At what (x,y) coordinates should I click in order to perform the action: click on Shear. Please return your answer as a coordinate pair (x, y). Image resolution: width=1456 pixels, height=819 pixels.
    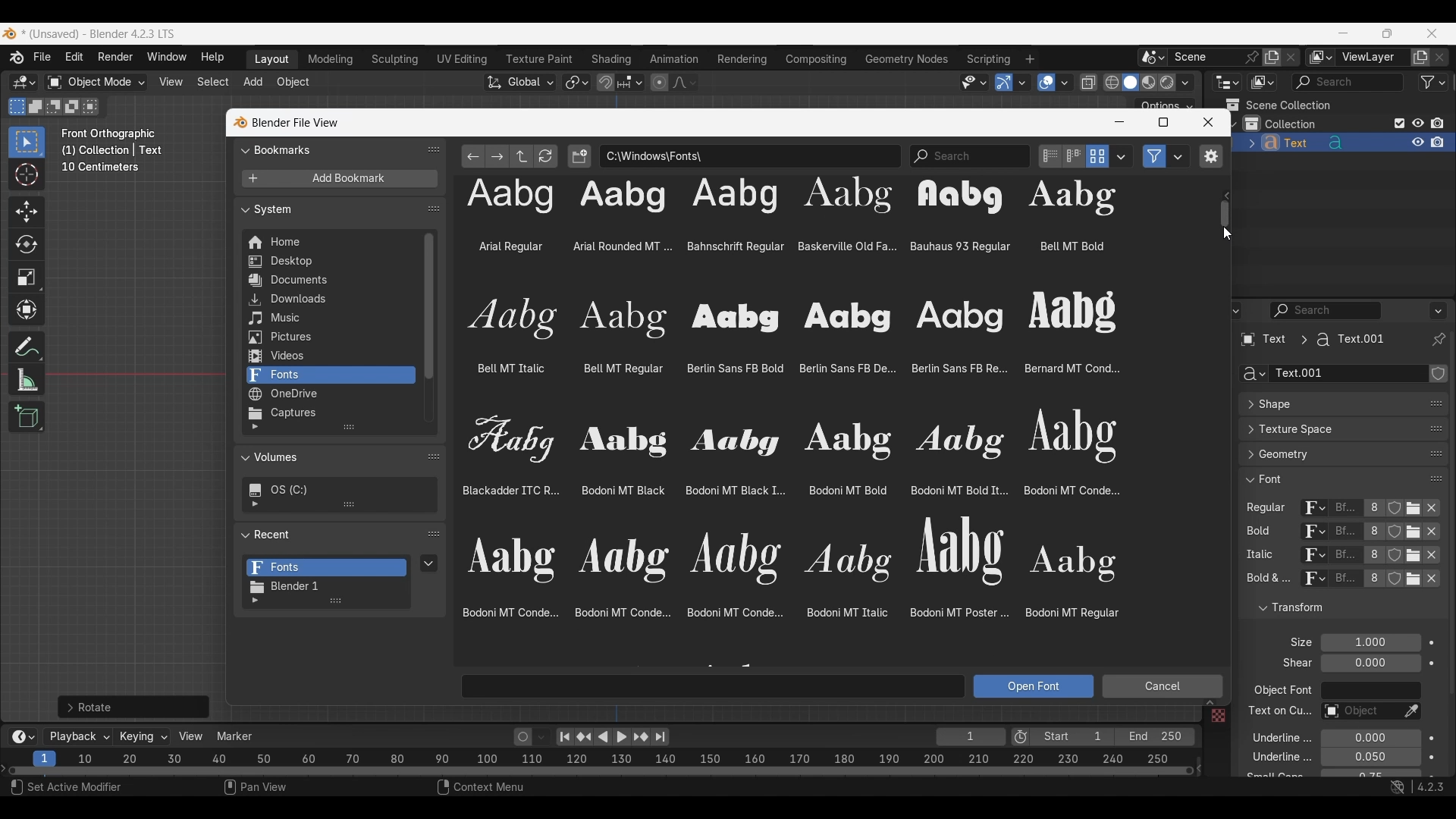
    Looking at the image, I should click on (1370, 663).